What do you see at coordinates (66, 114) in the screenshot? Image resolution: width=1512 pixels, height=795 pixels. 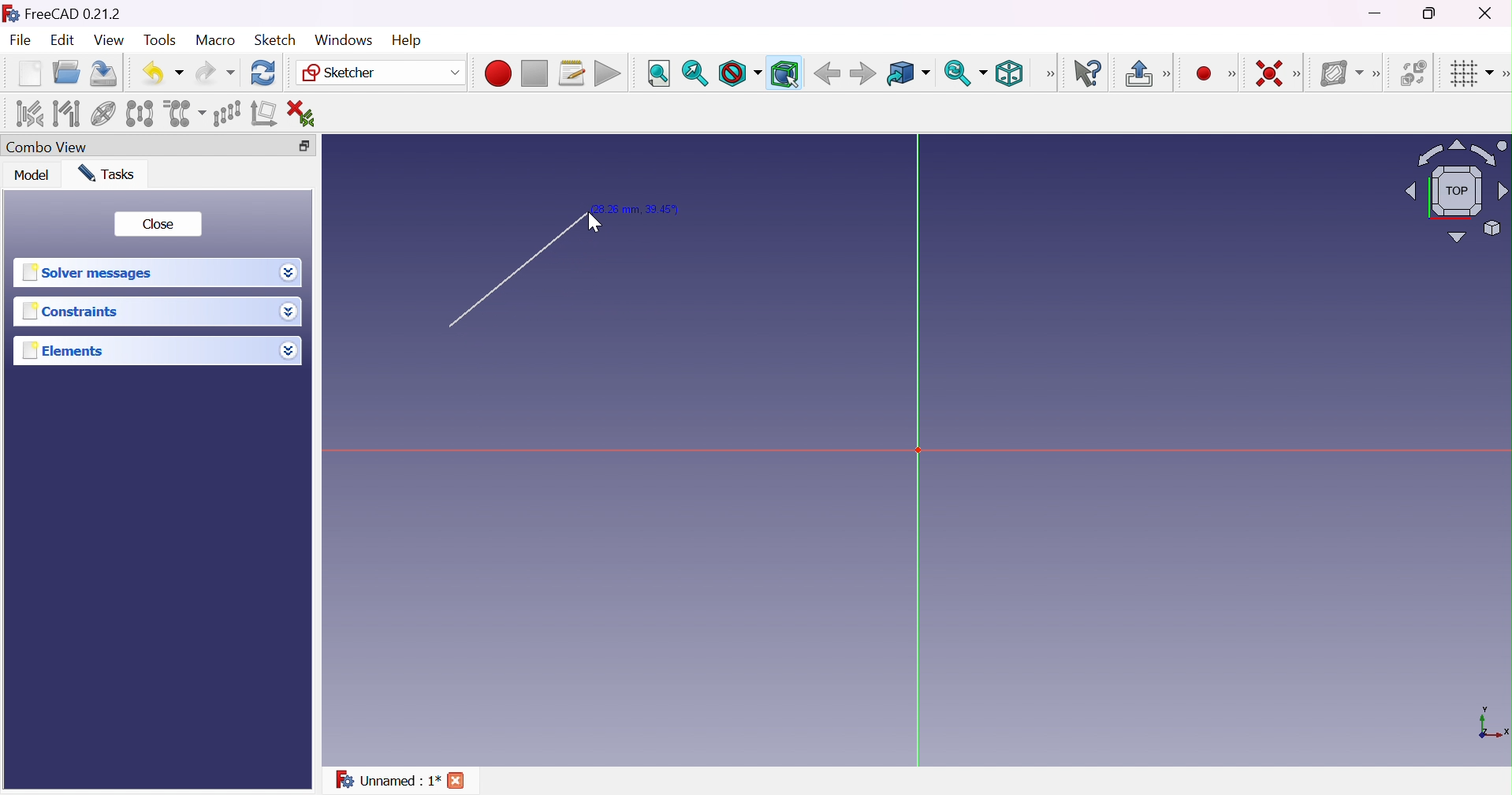 I see `Select associated geometry` at bounding box center [66, 114].